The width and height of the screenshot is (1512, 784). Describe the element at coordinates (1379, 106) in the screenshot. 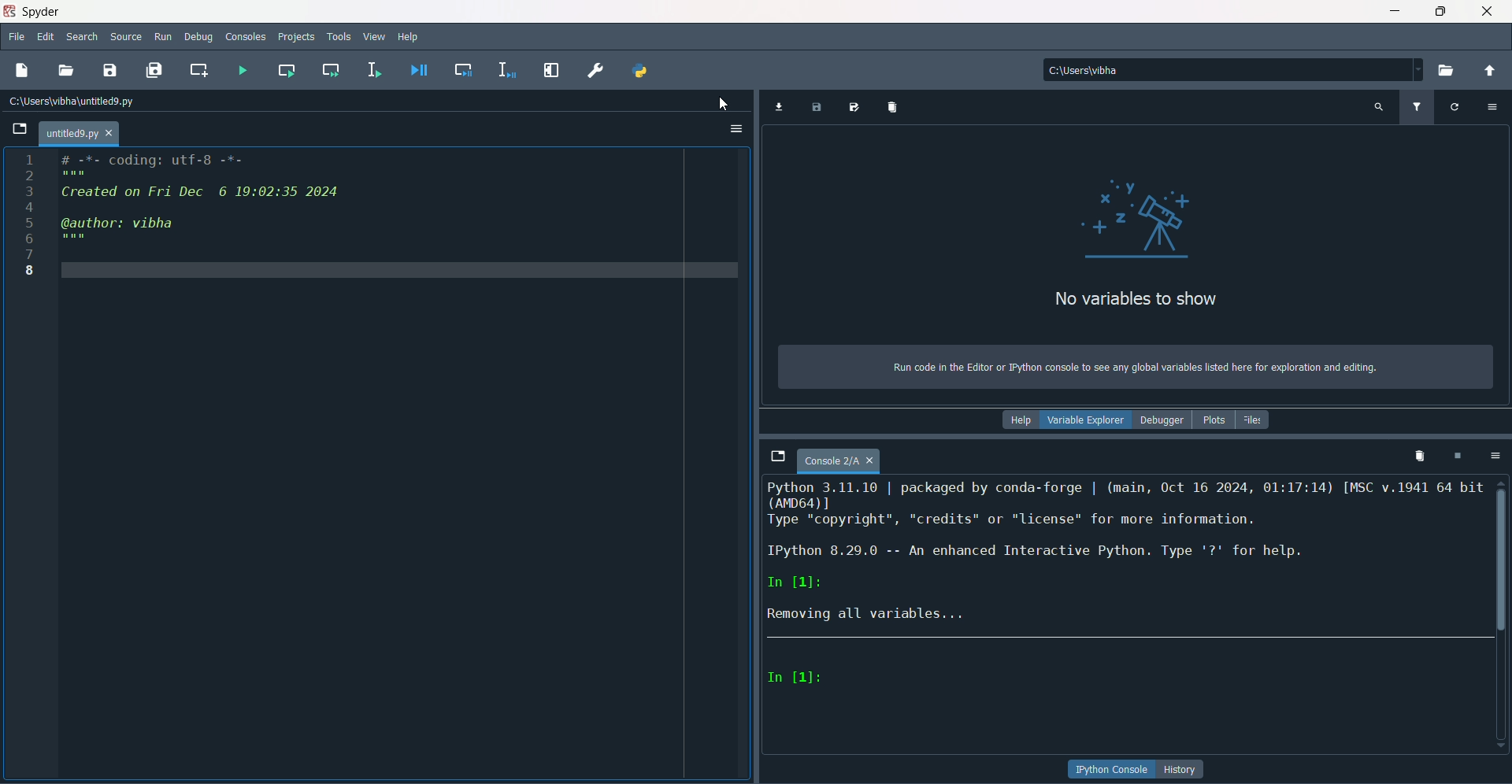

I see `search variable` at that location.